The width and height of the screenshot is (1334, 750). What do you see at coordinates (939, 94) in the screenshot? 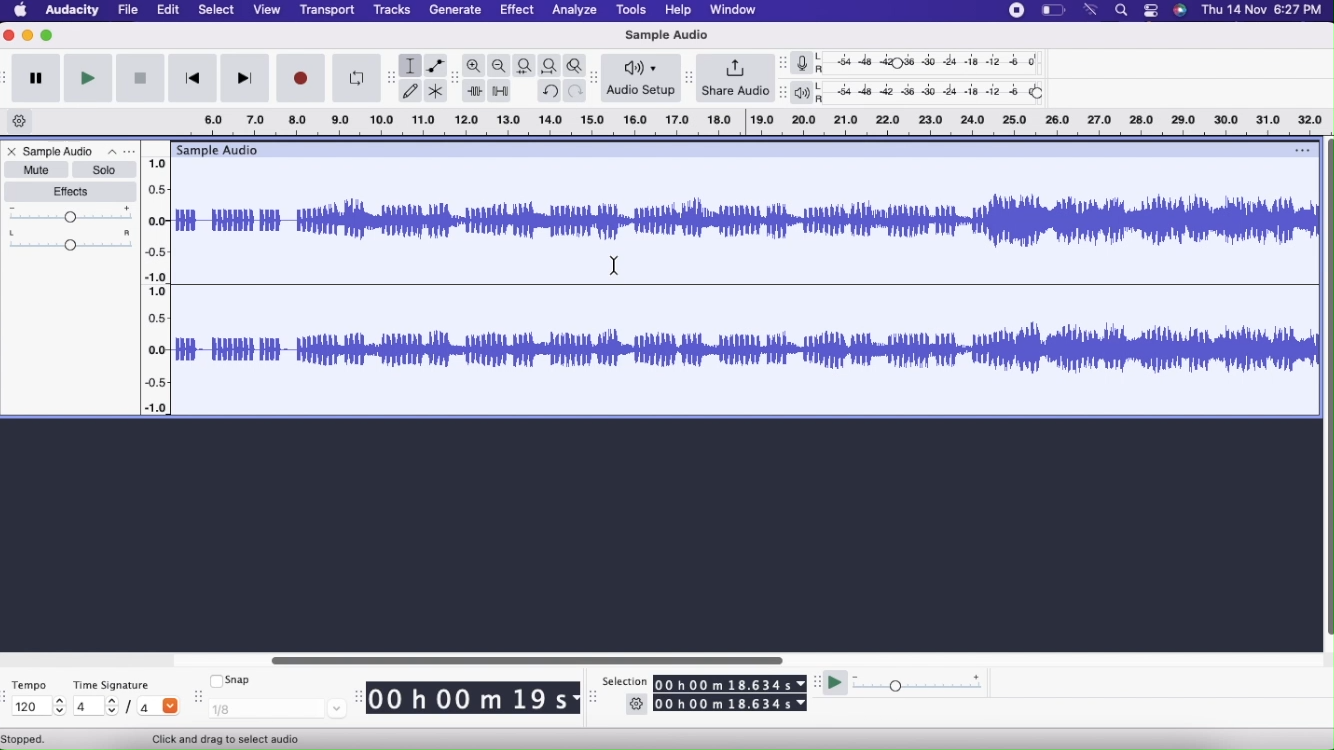
I see `Playback level` at bounding box center [939, 94].